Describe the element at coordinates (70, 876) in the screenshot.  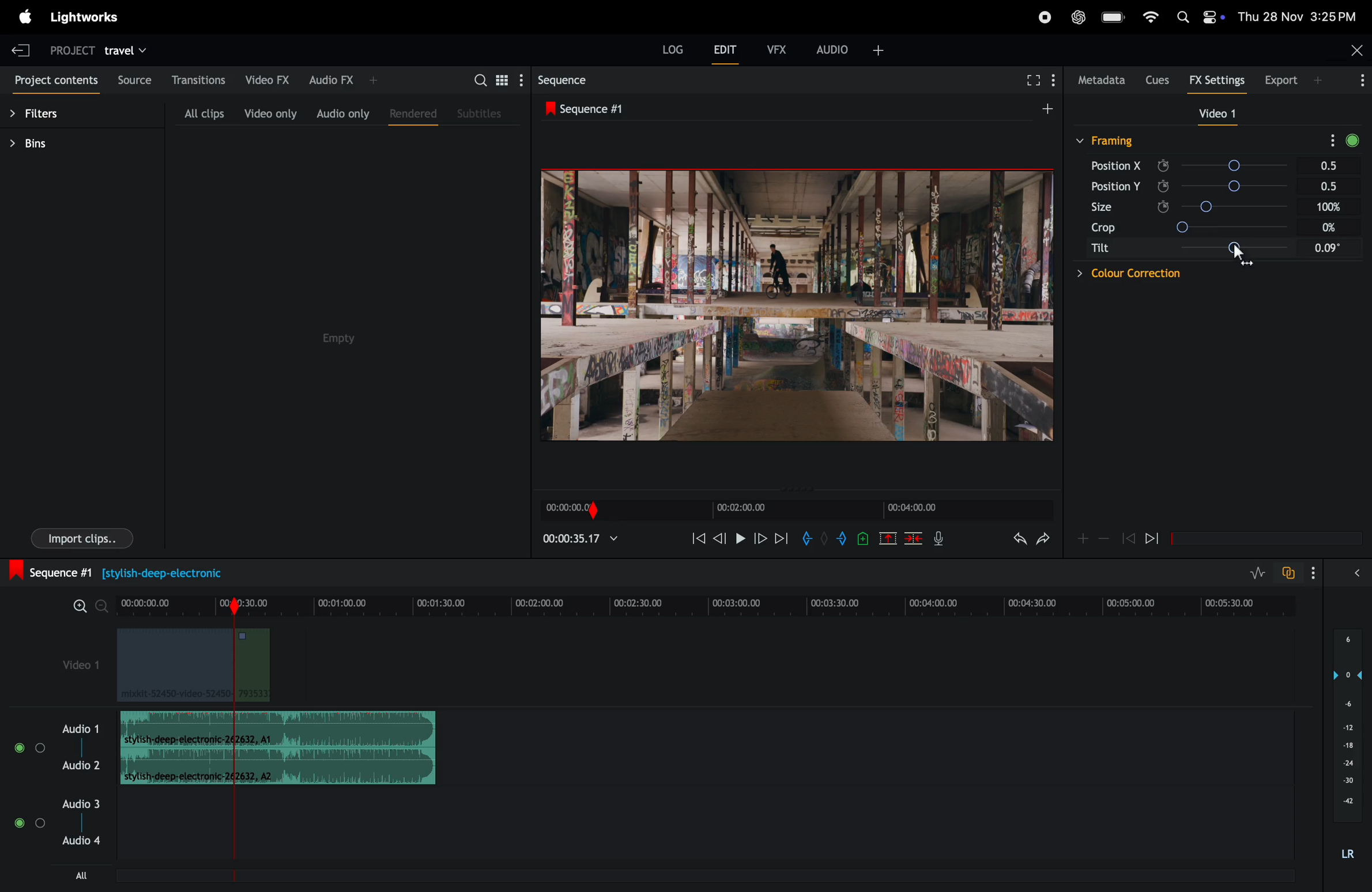
I see `all` at that location.